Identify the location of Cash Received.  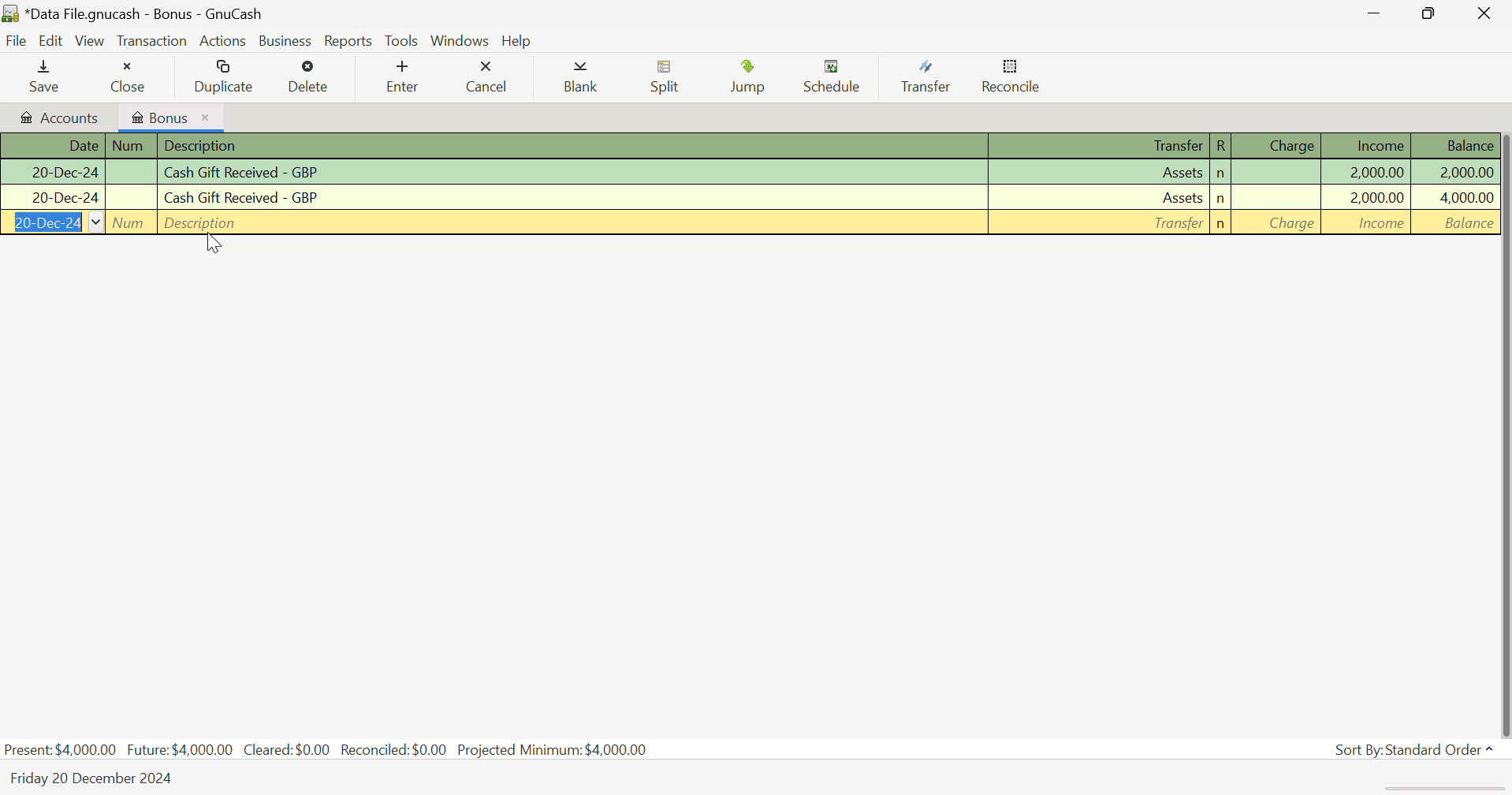
(574, 173).